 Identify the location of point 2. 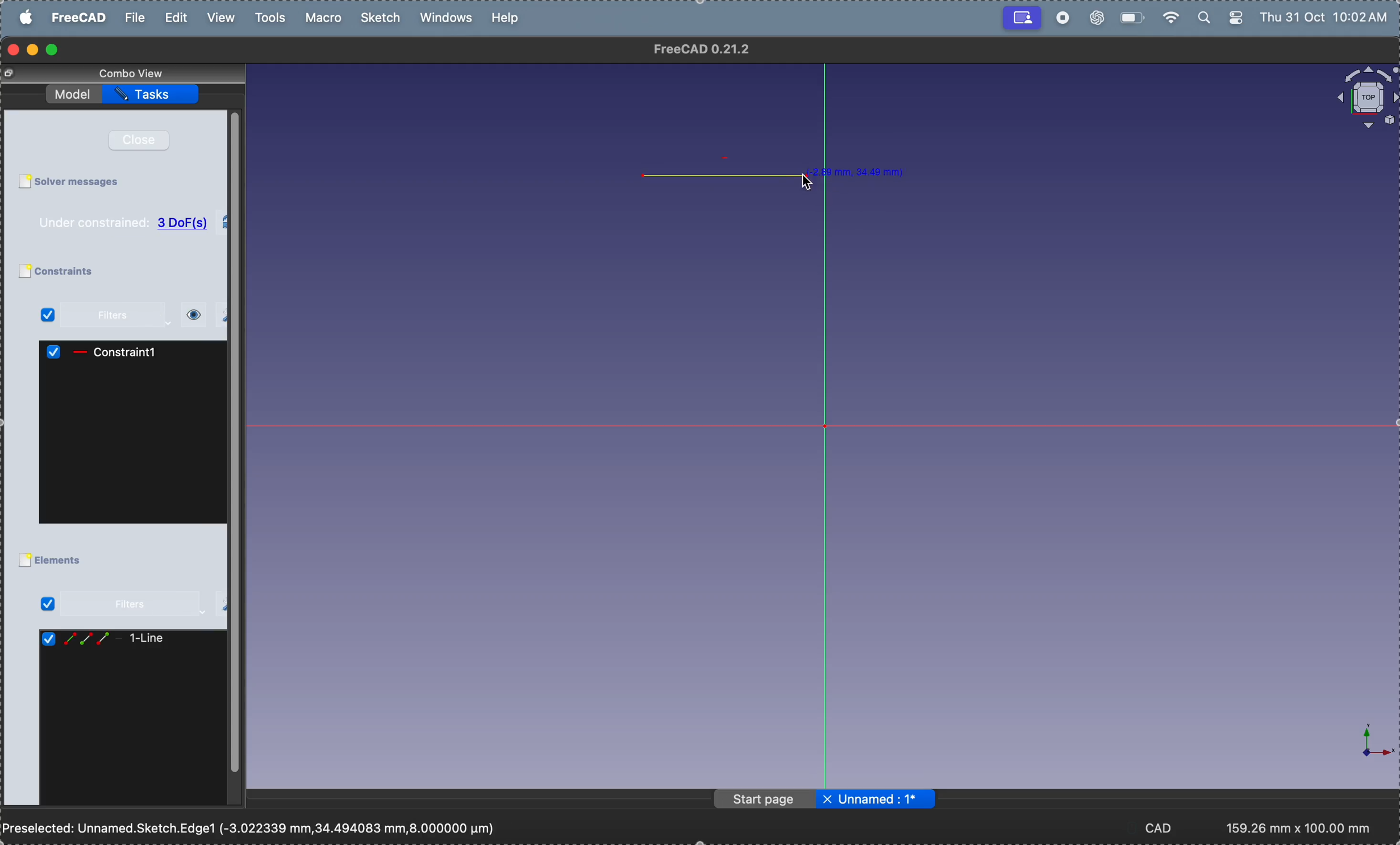
(810, 177).